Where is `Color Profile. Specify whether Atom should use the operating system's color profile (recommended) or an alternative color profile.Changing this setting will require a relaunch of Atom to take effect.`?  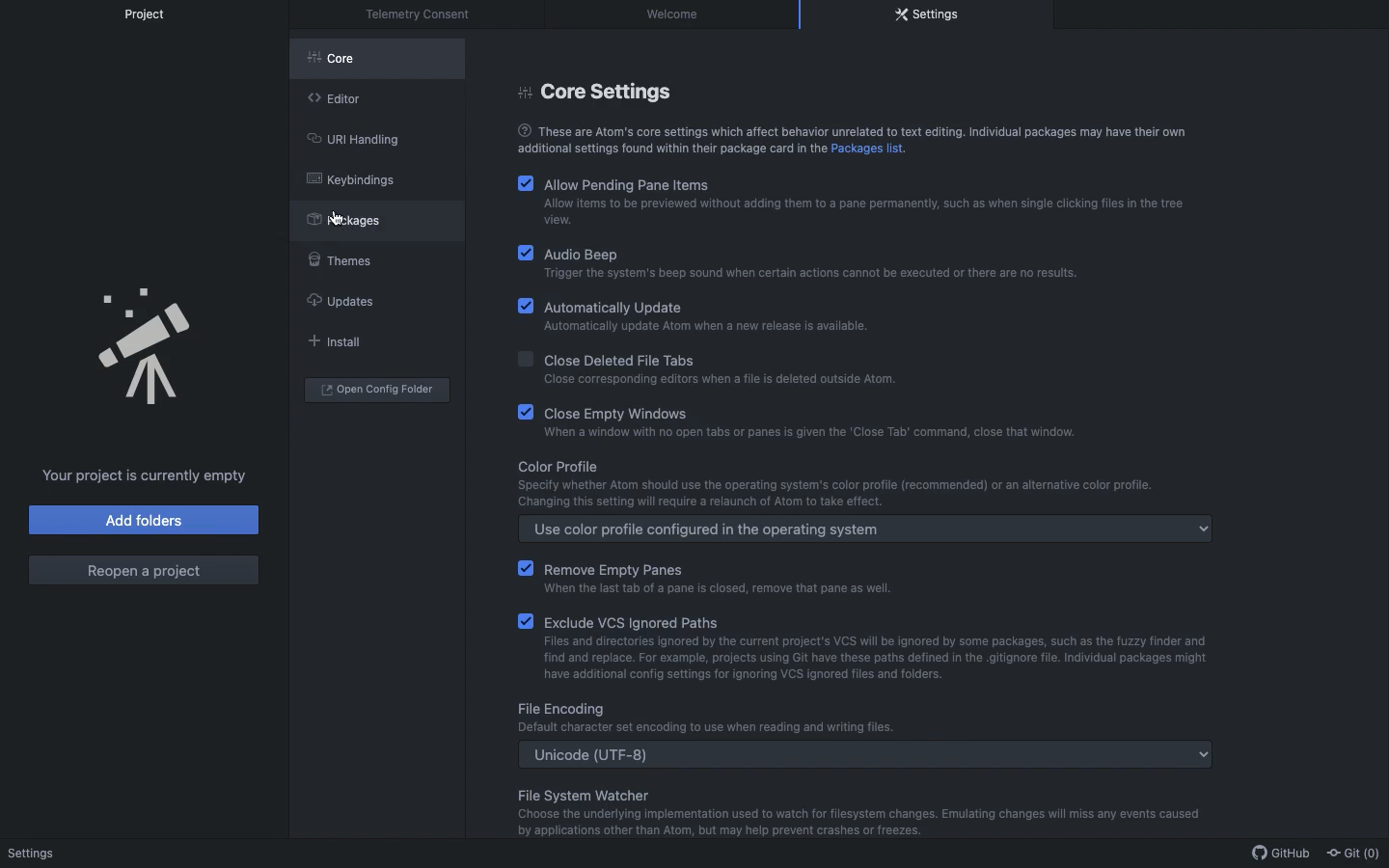 Color Profile. Specify whether Atom should use the operating system's color profile (recommended) or an alternative color profile.Changing this setting will require a relaunch of Atom to take effect. is located at coordinates (829, 483).